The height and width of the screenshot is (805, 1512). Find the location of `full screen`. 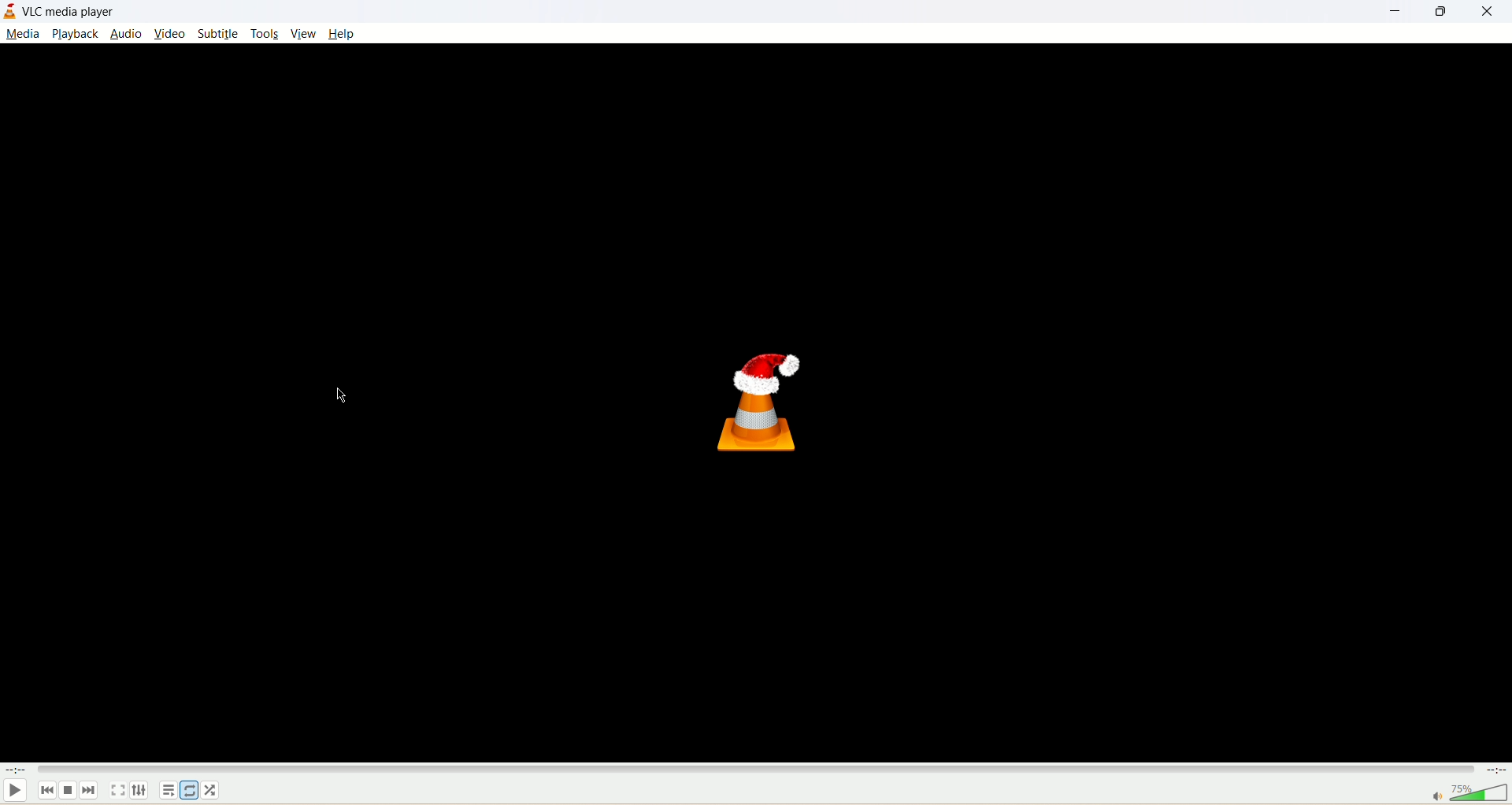

full screen is located at coordinates (119, 789).